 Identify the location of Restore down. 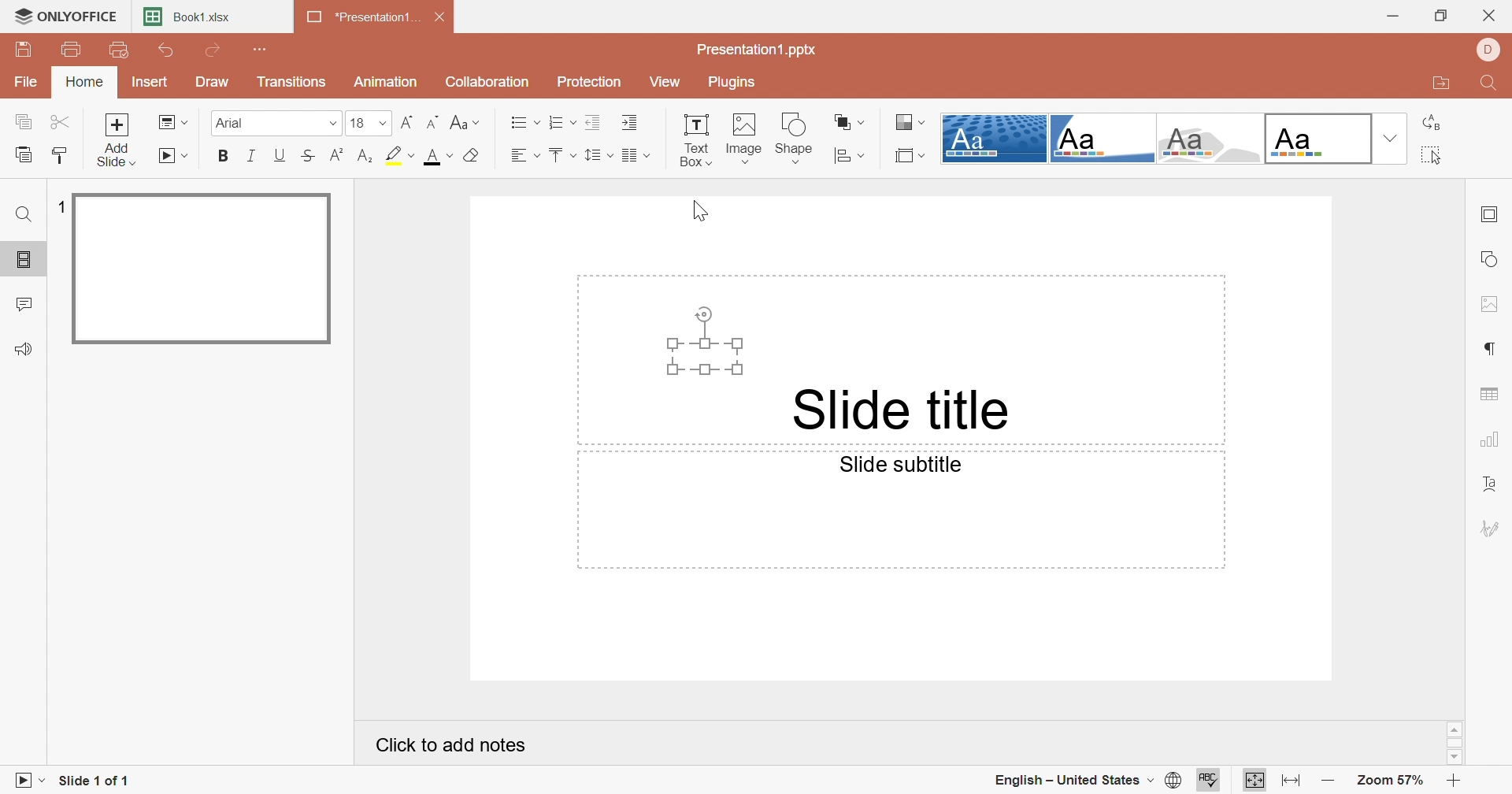
(1441, 13).